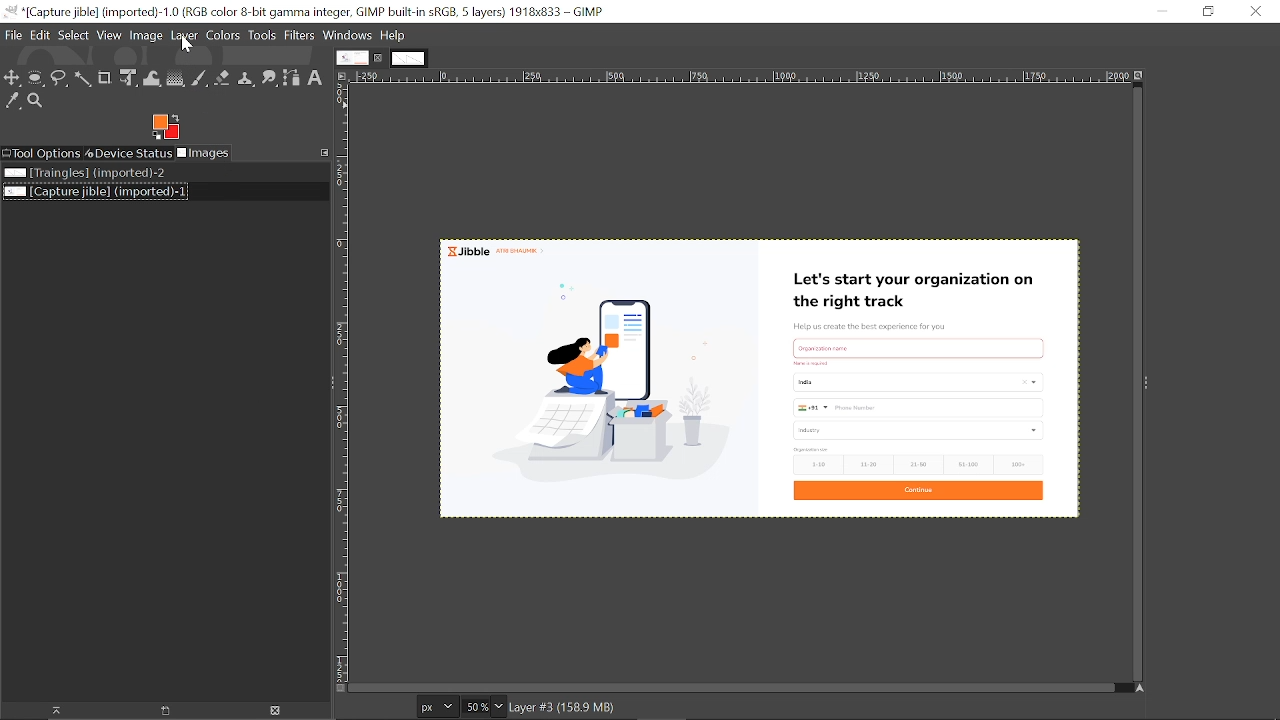 Image resolution: width=1280 pixels, height=720 pixels. I want to click on Add text, so click(319, 79).